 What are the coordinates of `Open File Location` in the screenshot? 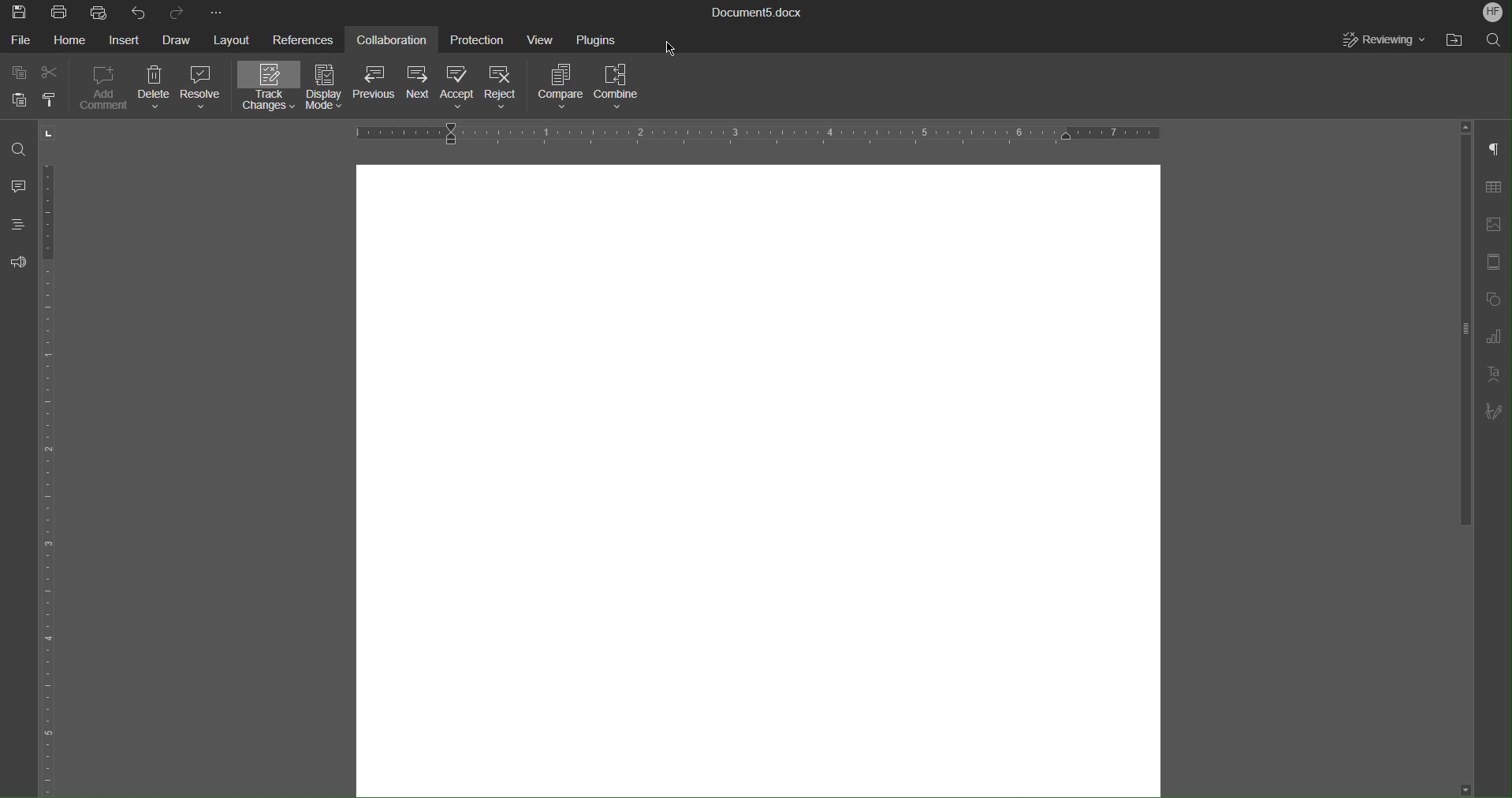 It's located at (1453, 43).